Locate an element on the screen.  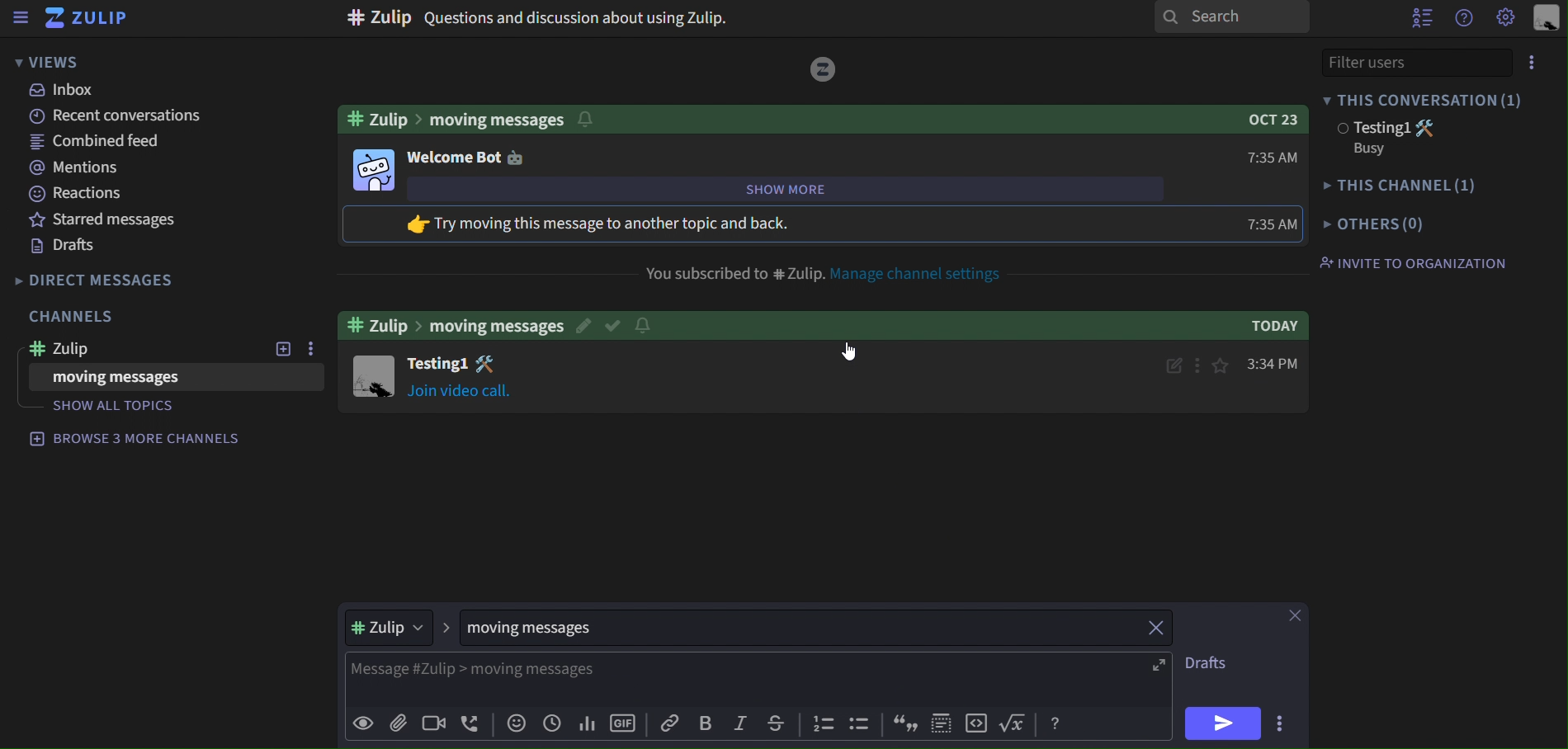
zulip is located at coordinates (132, 348).